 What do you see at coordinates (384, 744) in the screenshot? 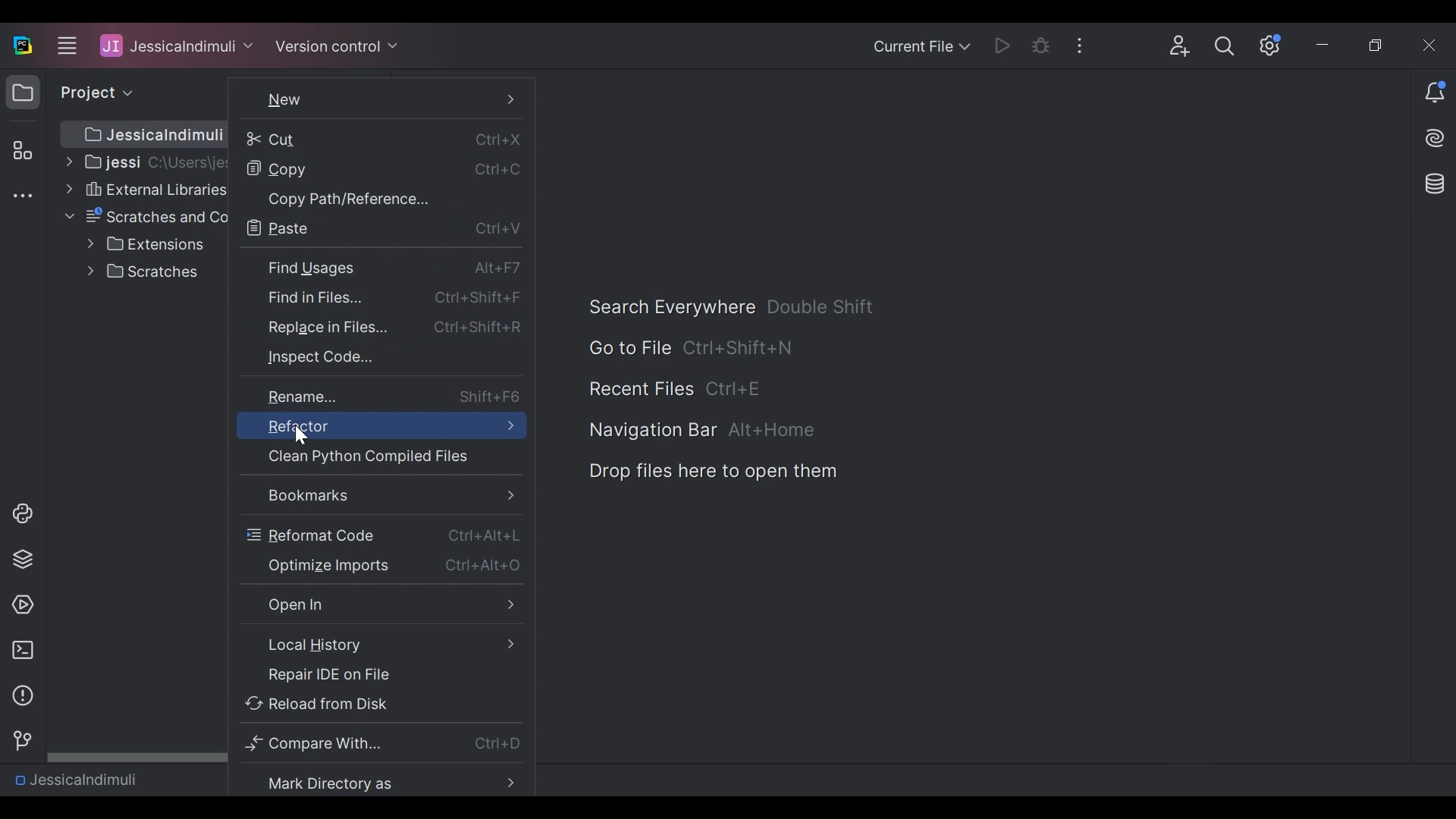
I see `Compare With` at bounding box center [384, 744].